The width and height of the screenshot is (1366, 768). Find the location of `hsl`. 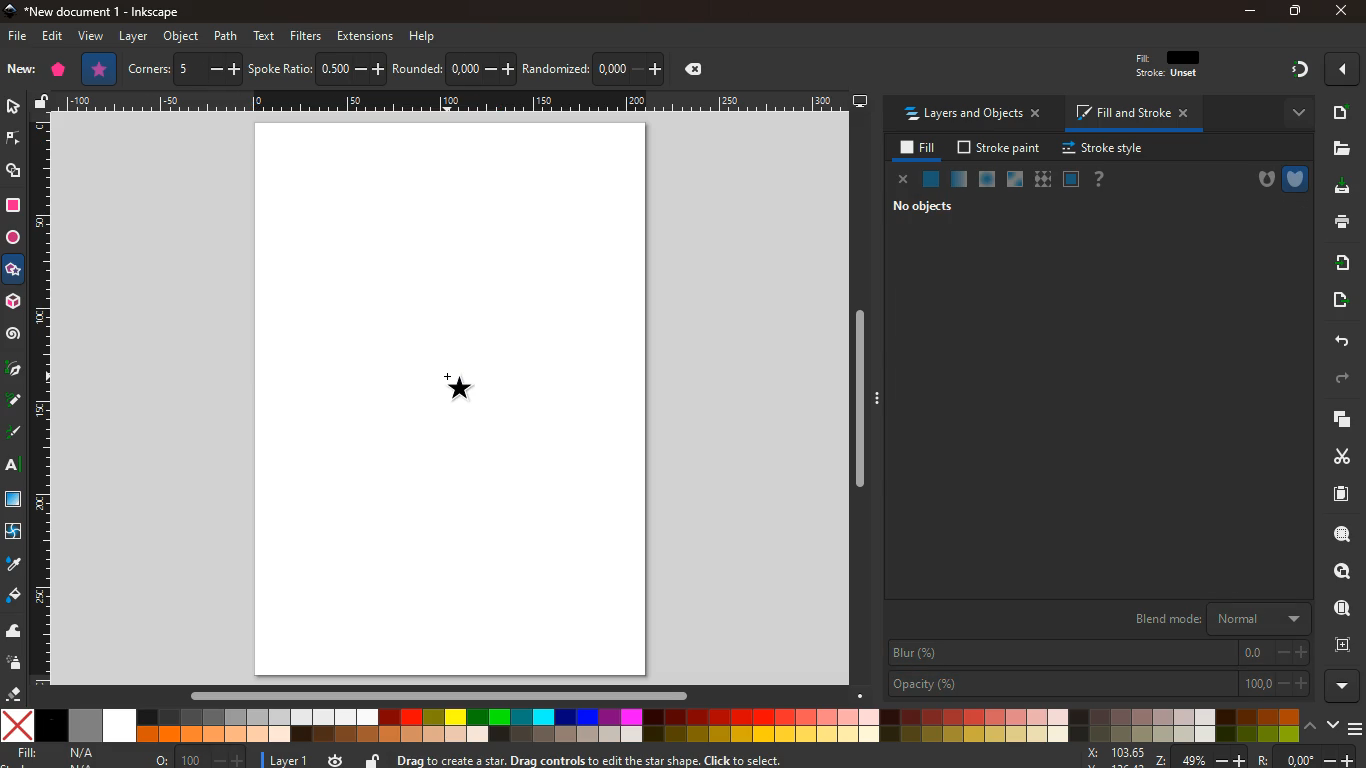

hsl is located at coordinates (1258, 218).